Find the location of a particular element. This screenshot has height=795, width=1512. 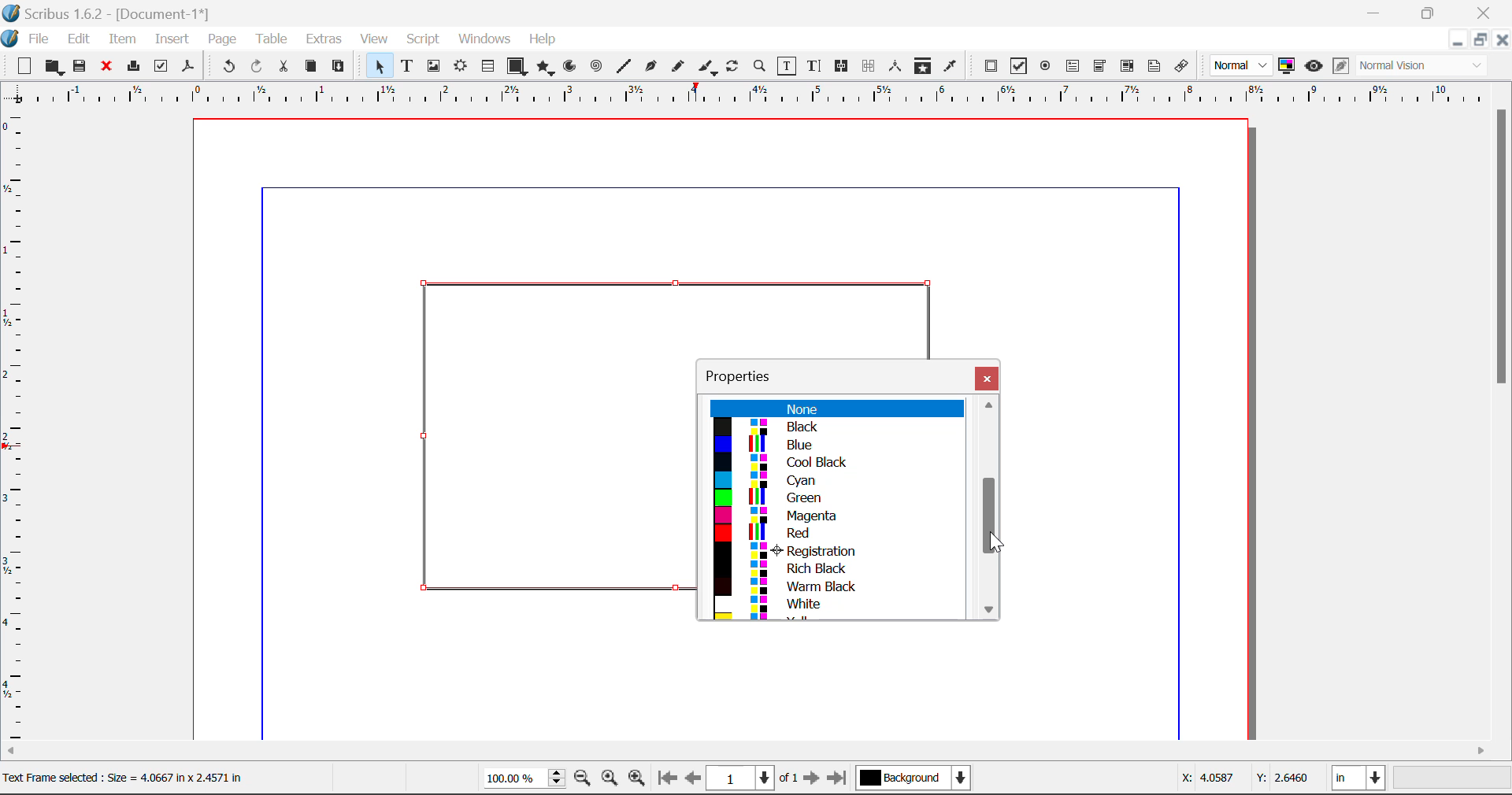

Extras is located at coordinates (325, 39).